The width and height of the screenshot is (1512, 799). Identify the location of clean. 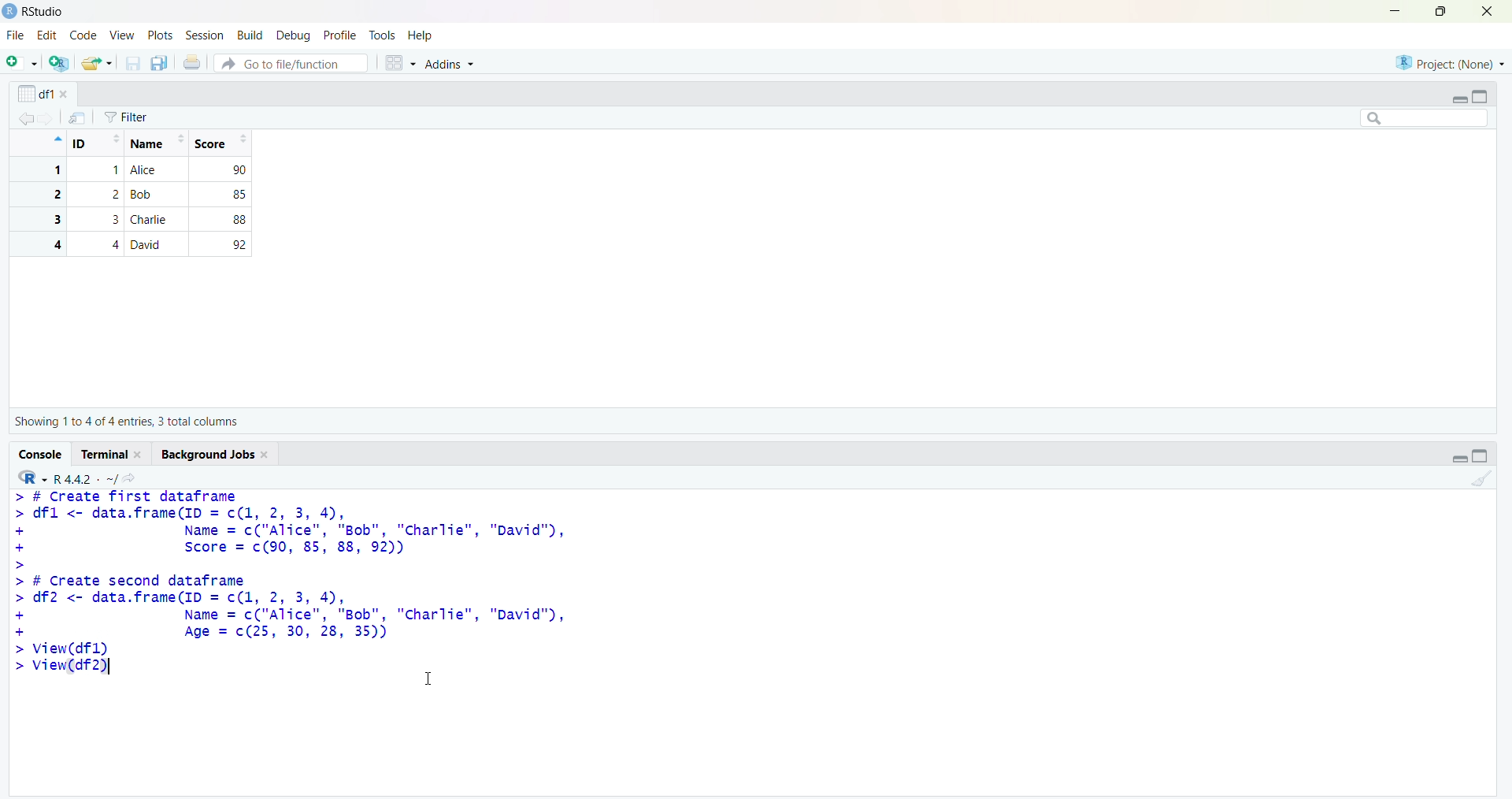
(1483, 479).